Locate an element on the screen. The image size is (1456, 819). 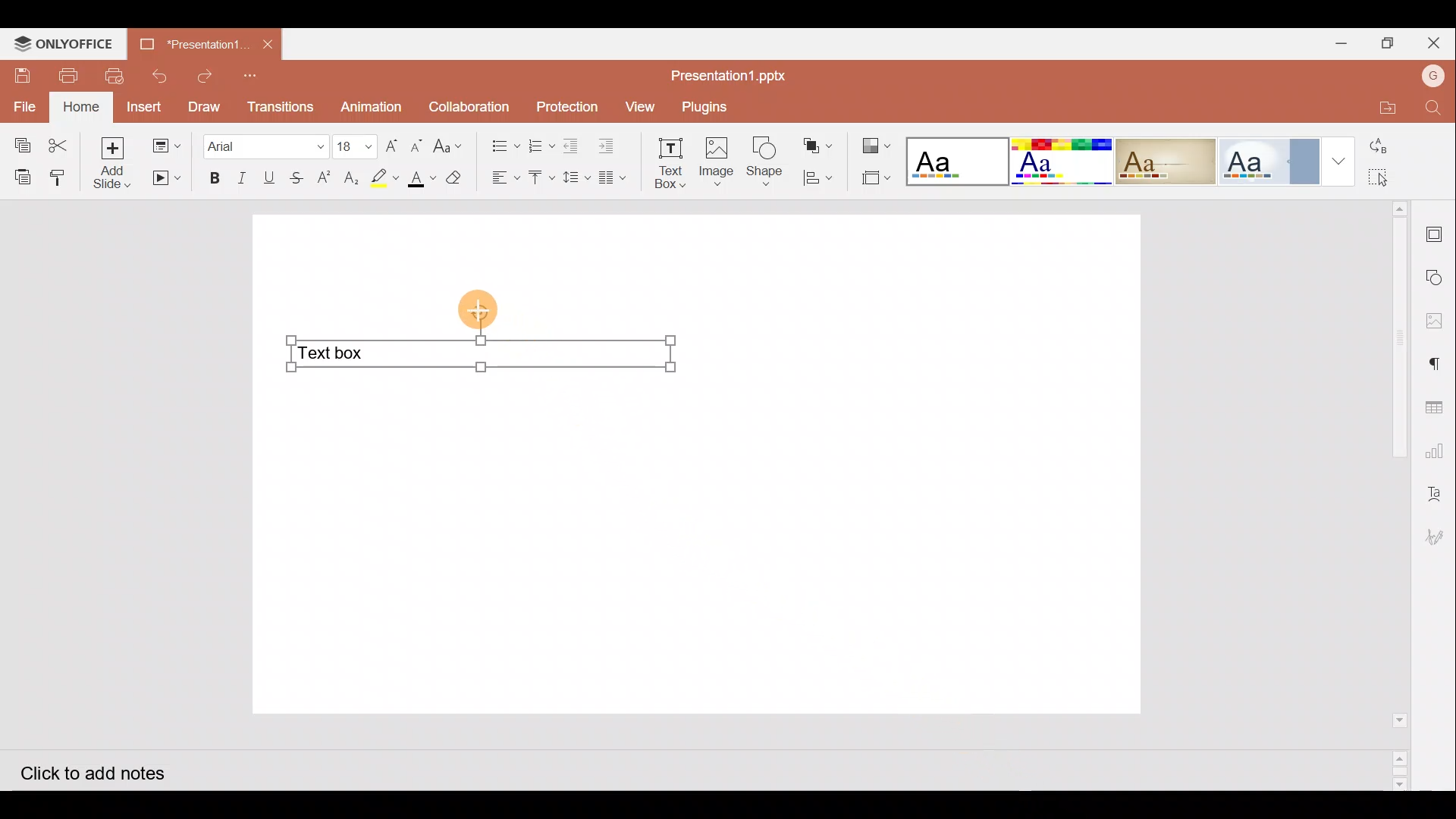
Click to add notes is located at coordinates (105, 772).